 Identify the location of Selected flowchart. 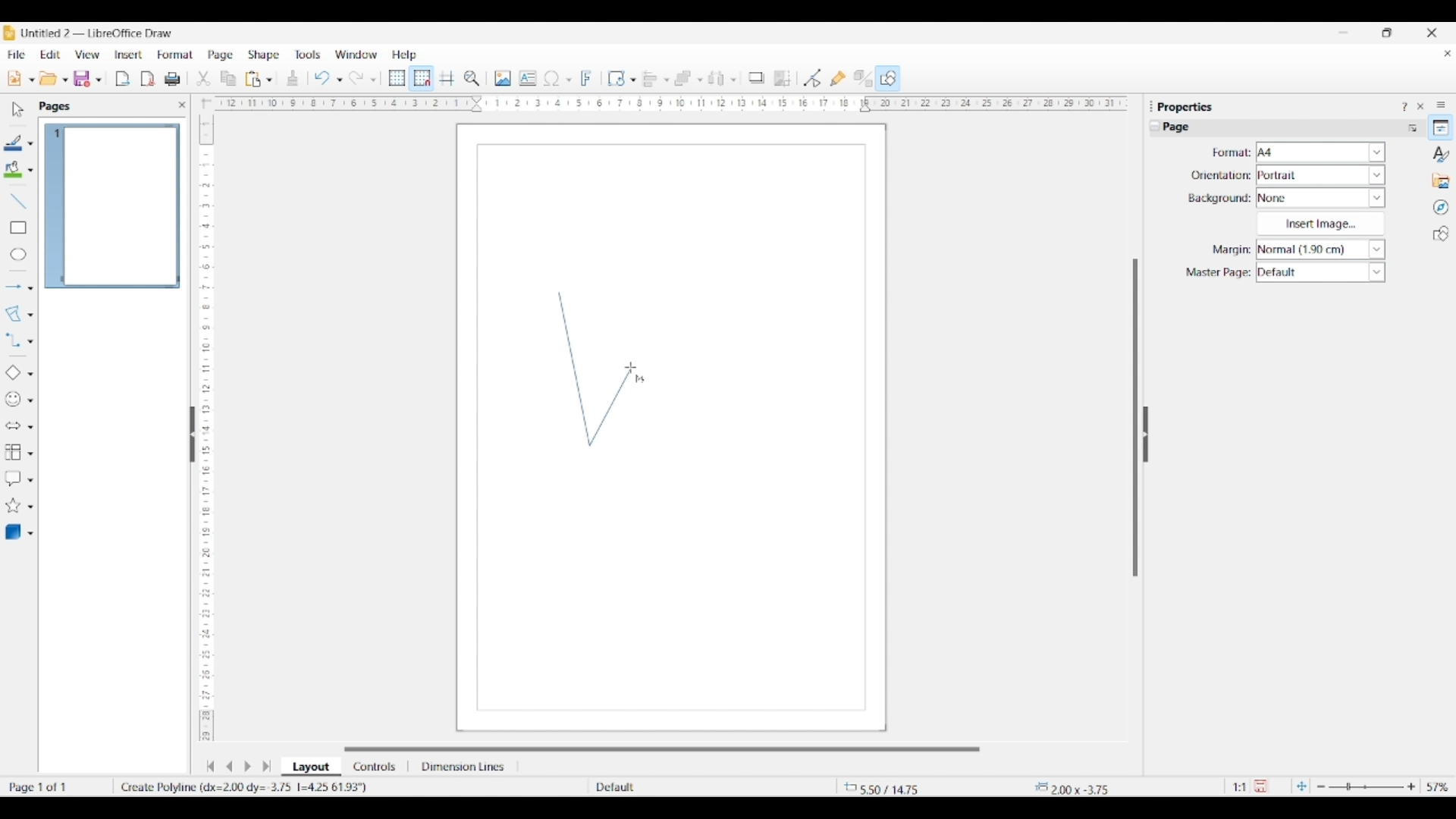
(13, 453).